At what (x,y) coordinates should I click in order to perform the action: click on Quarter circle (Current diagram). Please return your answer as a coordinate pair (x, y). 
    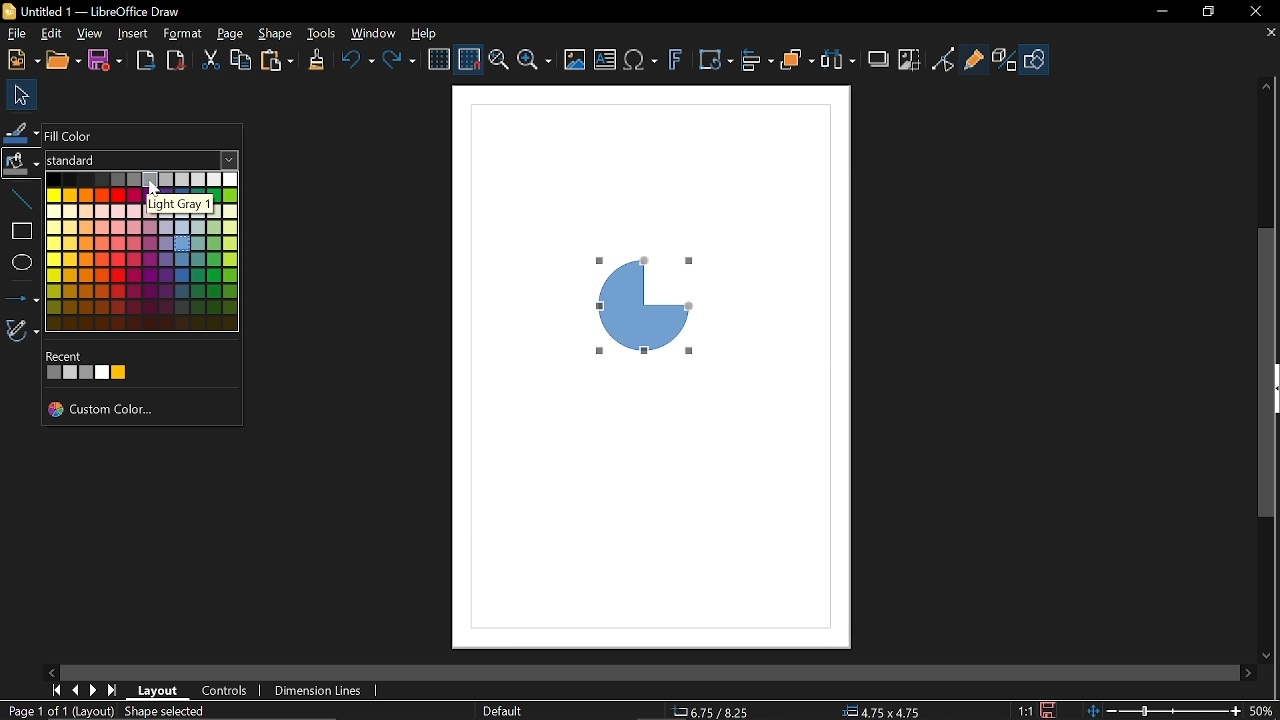
    Looking at the image, I should click on (656, 300).